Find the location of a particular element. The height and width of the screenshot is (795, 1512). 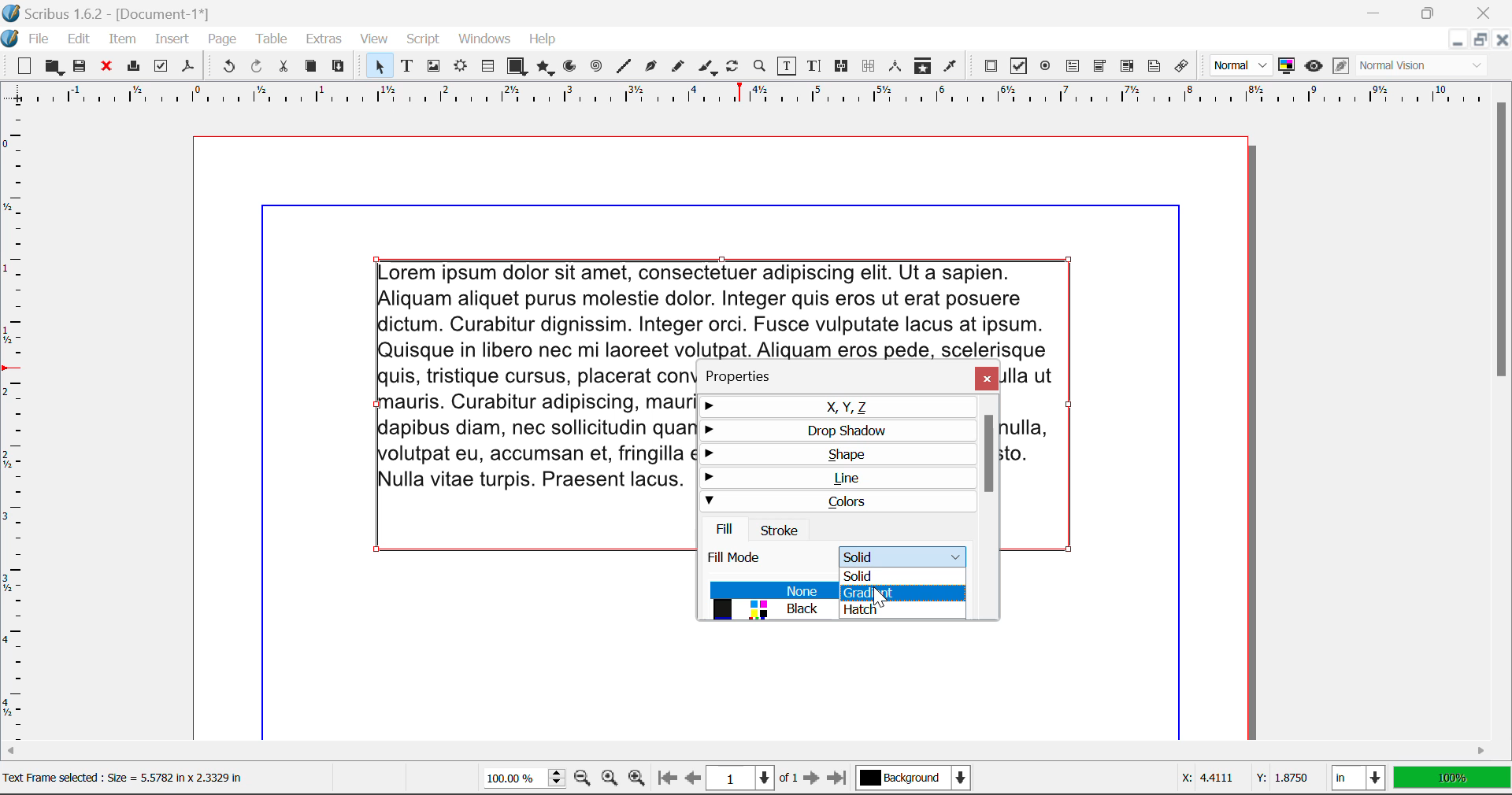

Cursor Coordinates is located at coordinates (1241, 778).